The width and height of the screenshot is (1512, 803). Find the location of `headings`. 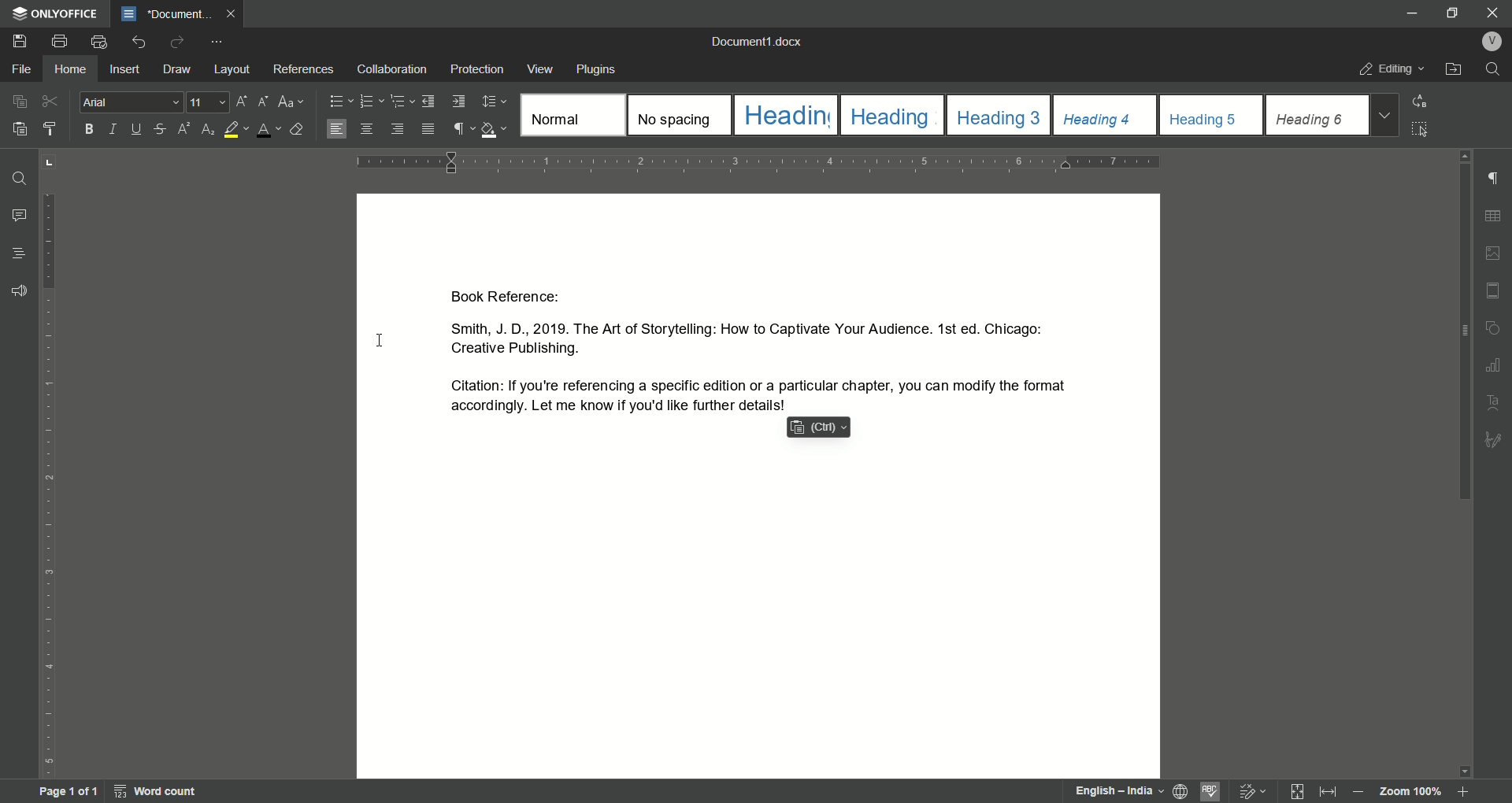

headings is located at coordinates (1212, 115).